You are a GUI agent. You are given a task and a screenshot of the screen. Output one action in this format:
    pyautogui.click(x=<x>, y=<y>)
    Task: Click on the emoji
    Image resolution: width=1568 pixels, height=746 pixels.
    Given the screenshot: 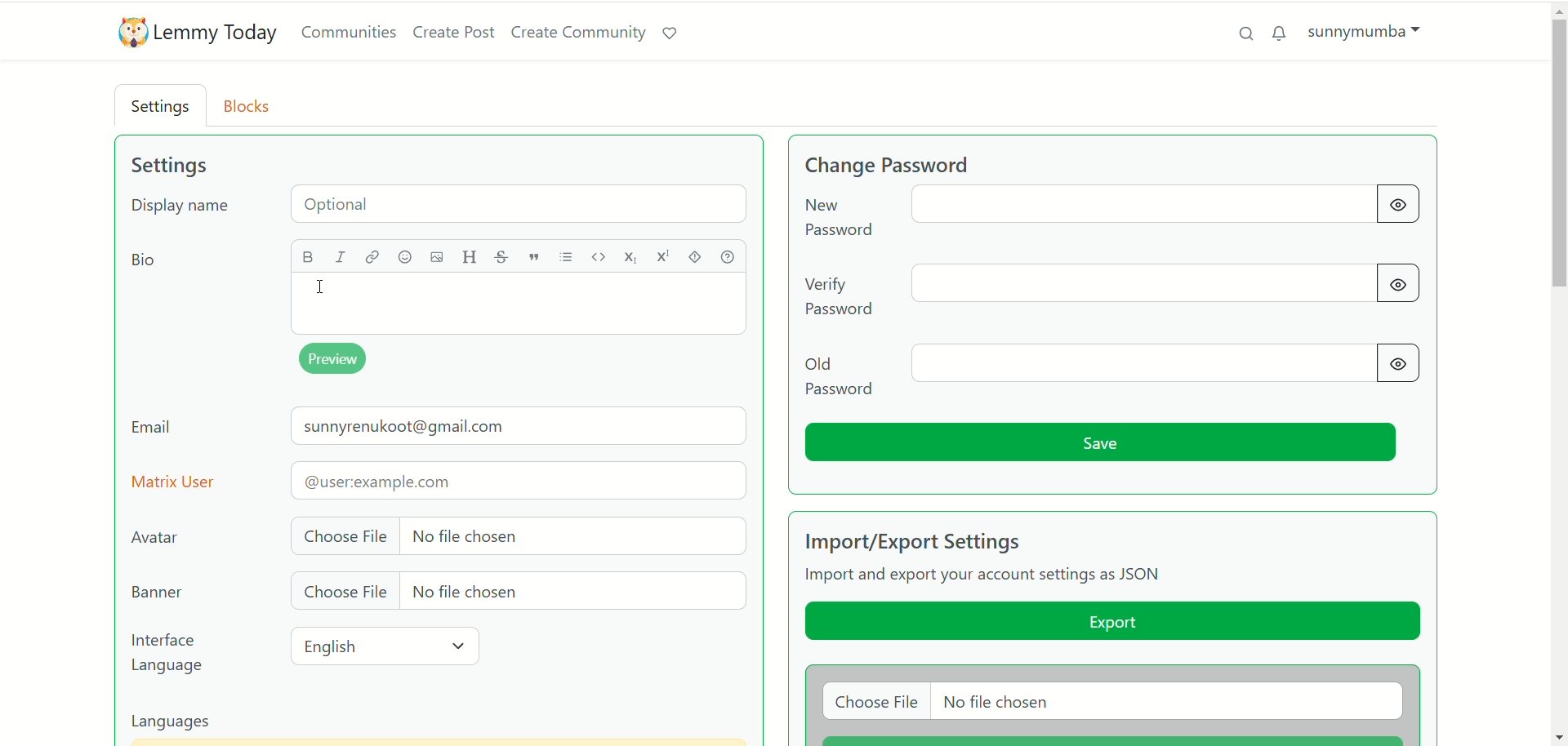 What is the action you would take?
    pyautogui.click(x=404, y=259)
    